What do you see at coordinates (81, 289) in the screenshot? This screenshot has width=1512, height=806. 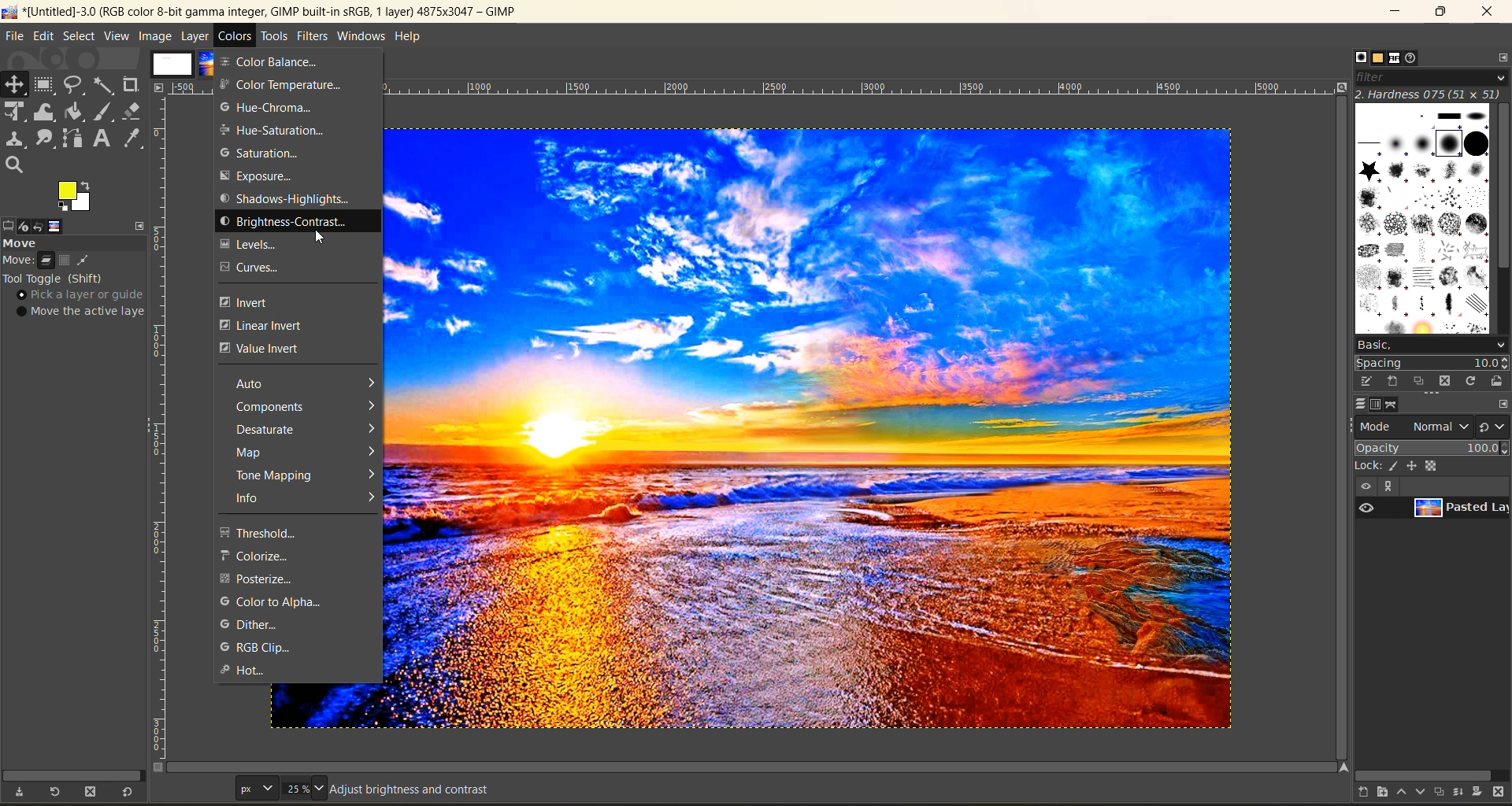 I see `metadata` at bounding box center [81, 289].